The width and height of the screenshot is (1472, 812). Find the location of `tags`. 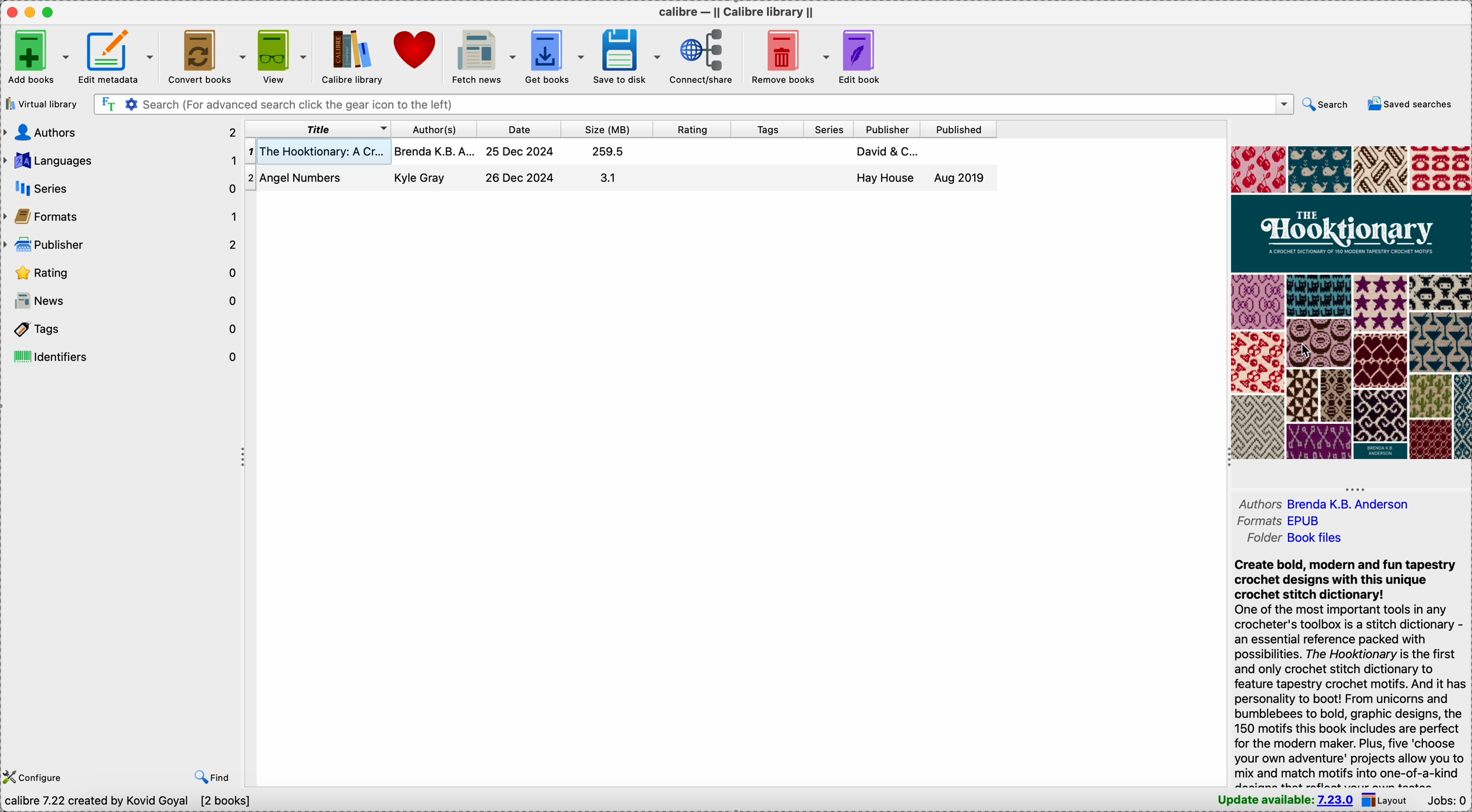

tags is located at coordinates (122, 326).